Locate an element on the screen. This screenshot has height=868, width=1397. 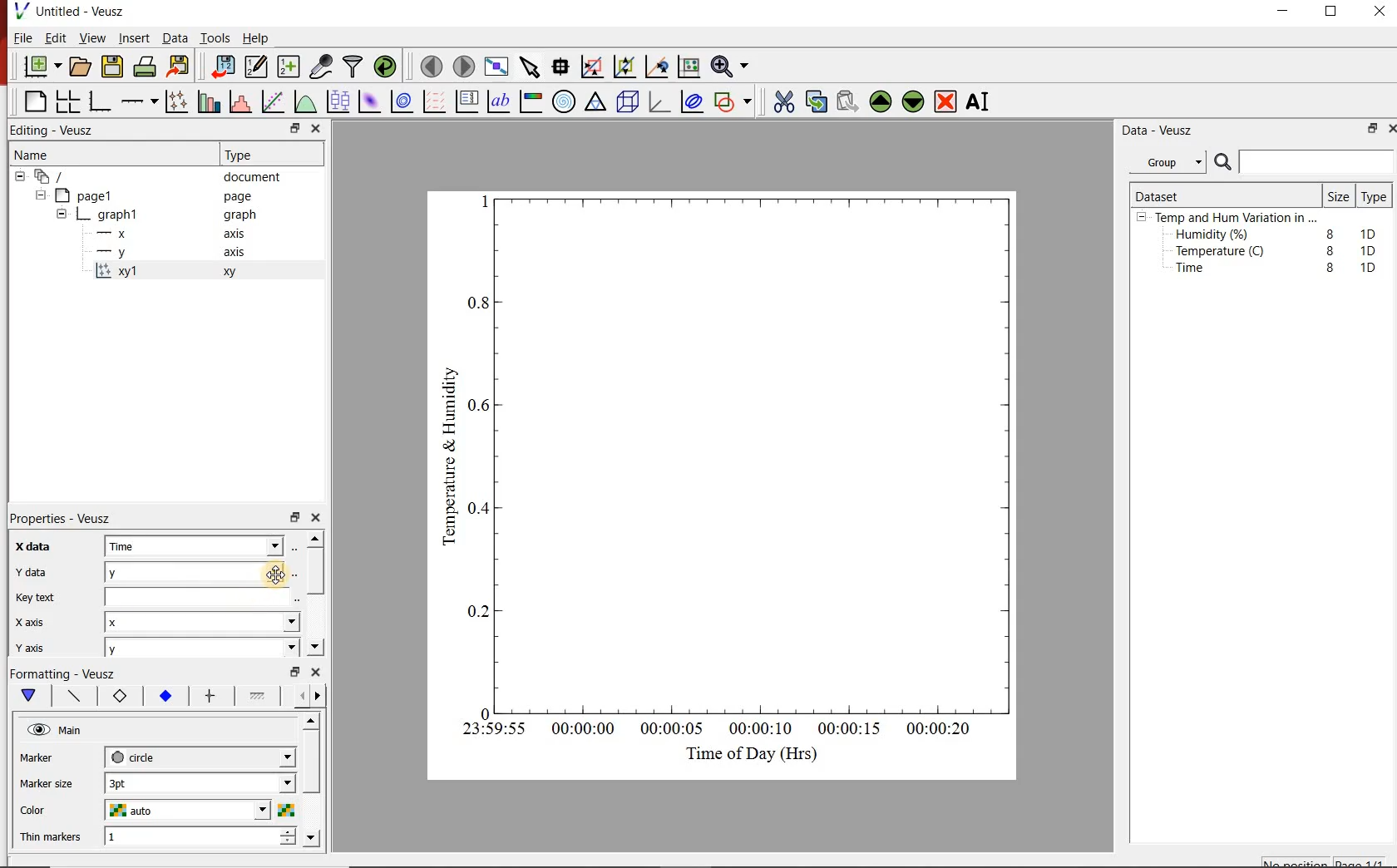
arrange graphs in a grid is located at coordinates (70, 99).